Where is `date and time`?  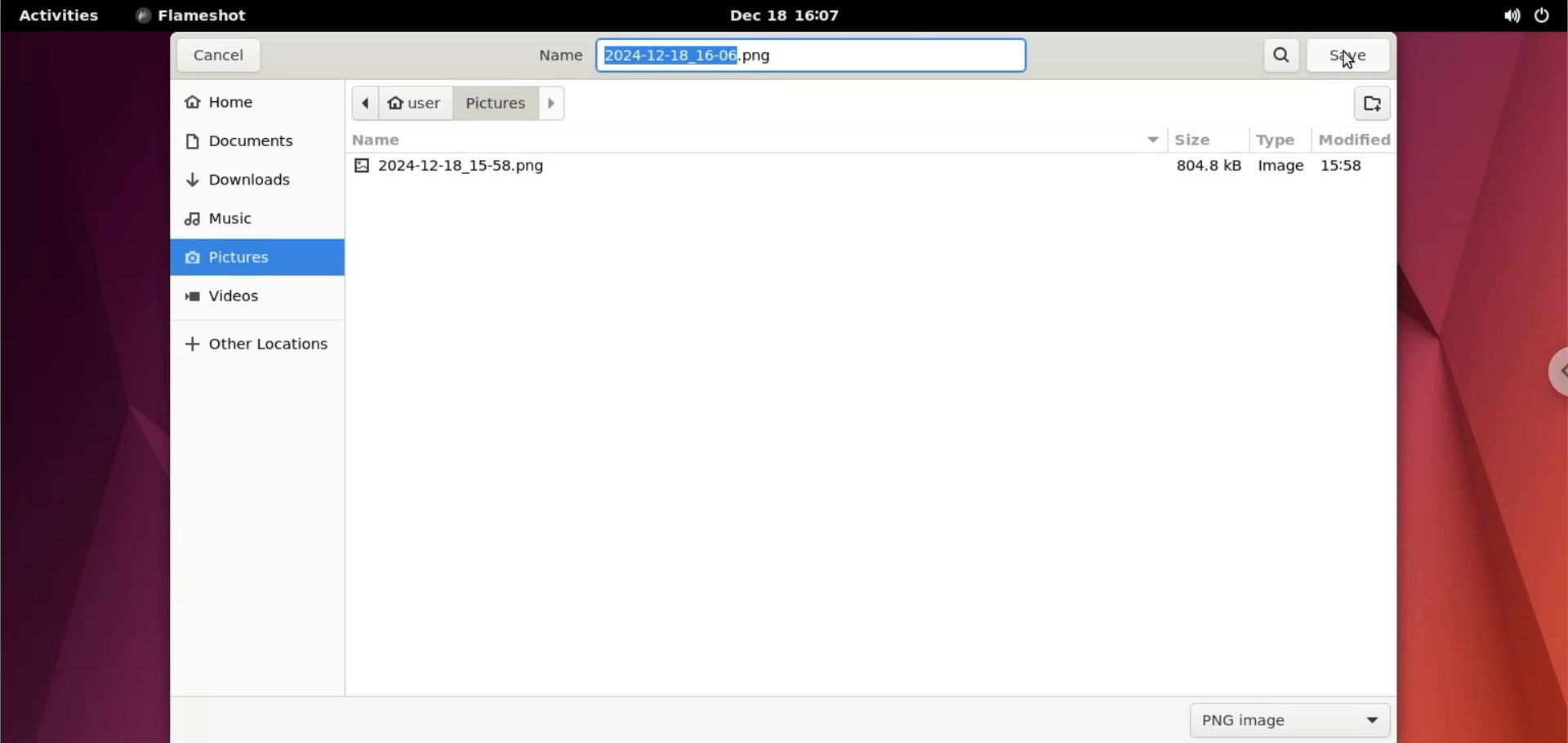 date and time is located at coordinates (793, 16).